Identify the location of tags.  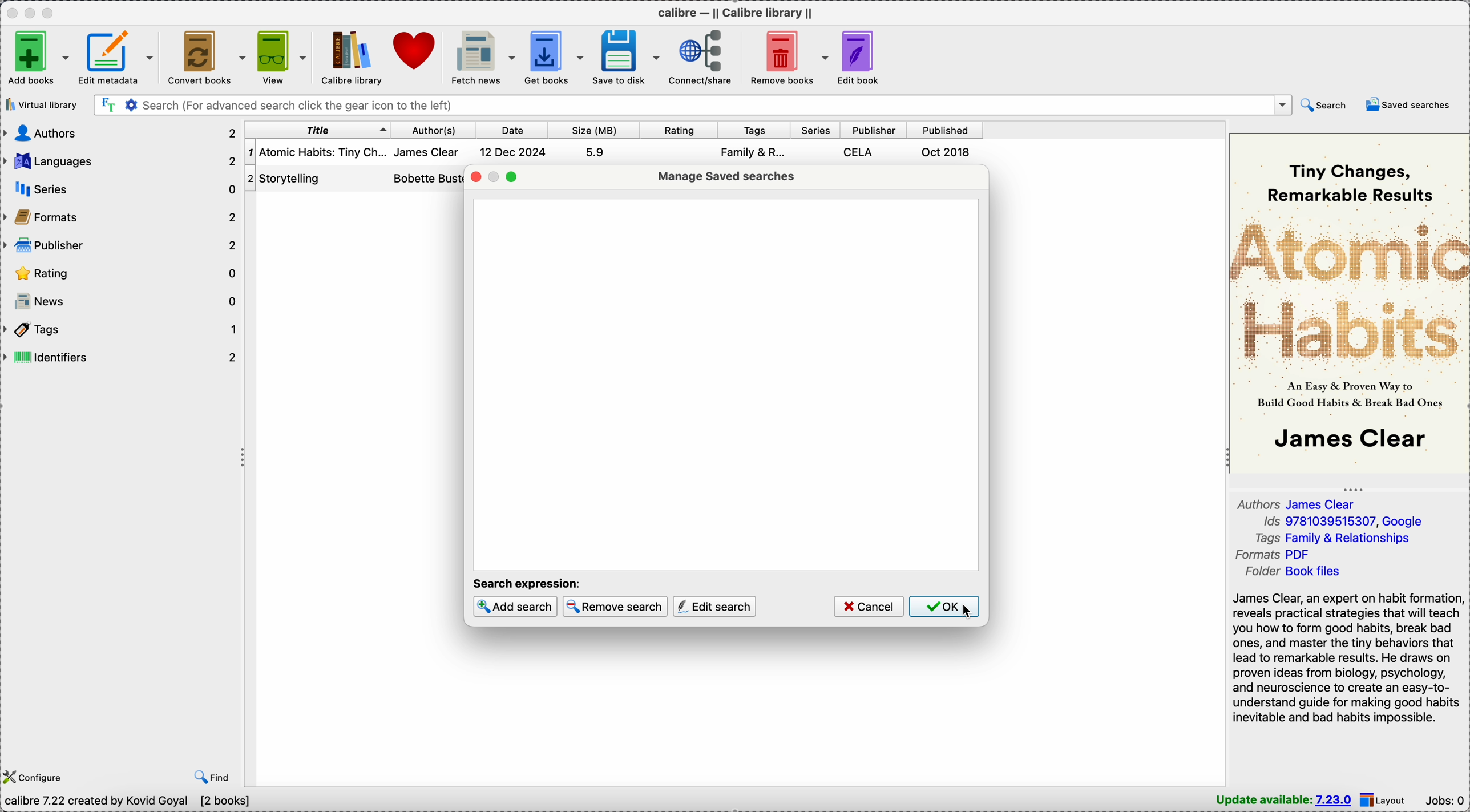
(122, 330).